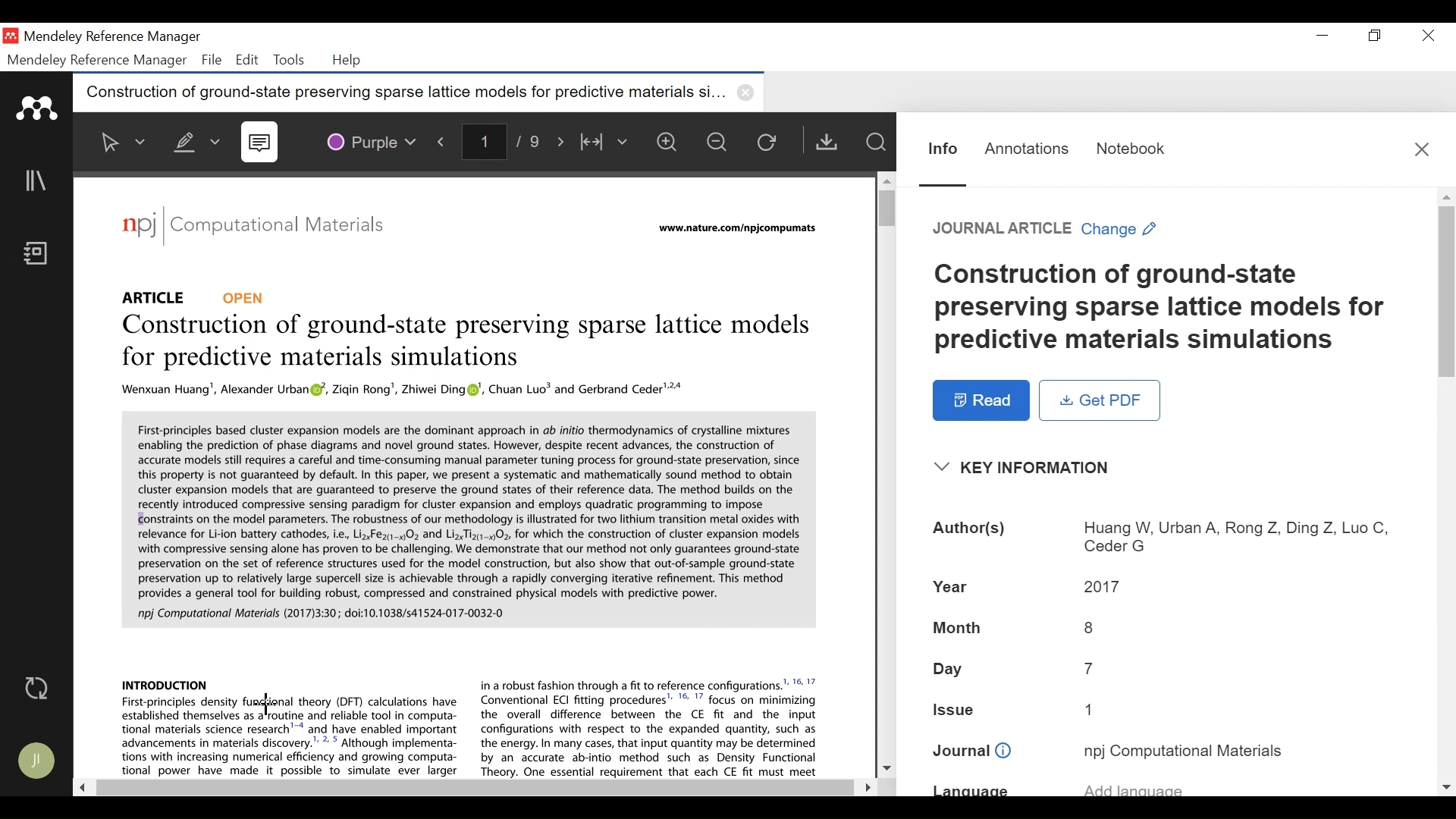 This screenshot has height=819, width=1456. I want to click on Mendeley Reference Manager, so click(97, 61).